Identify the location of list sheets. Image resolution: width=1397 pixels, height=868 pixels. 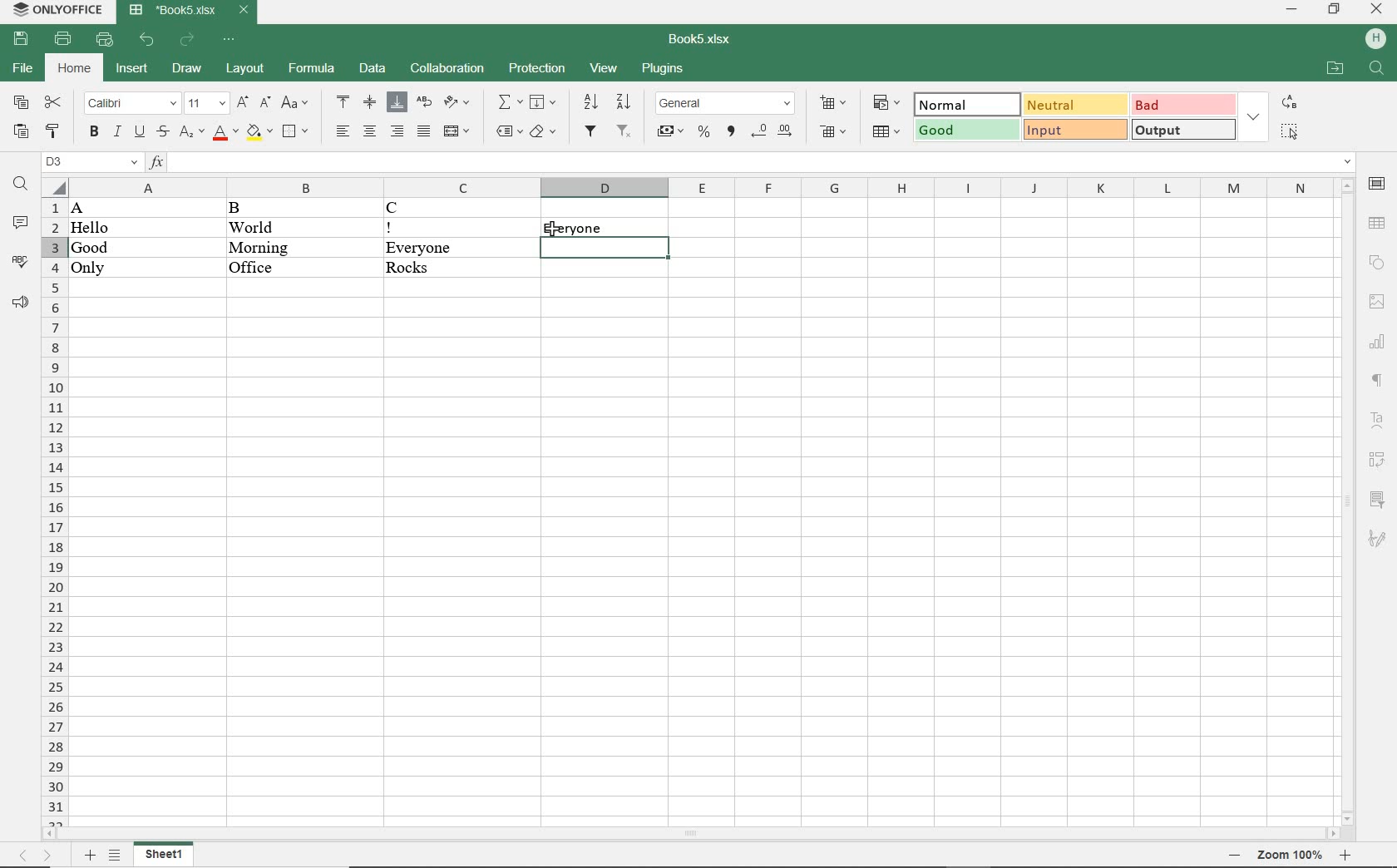
(116, 855).